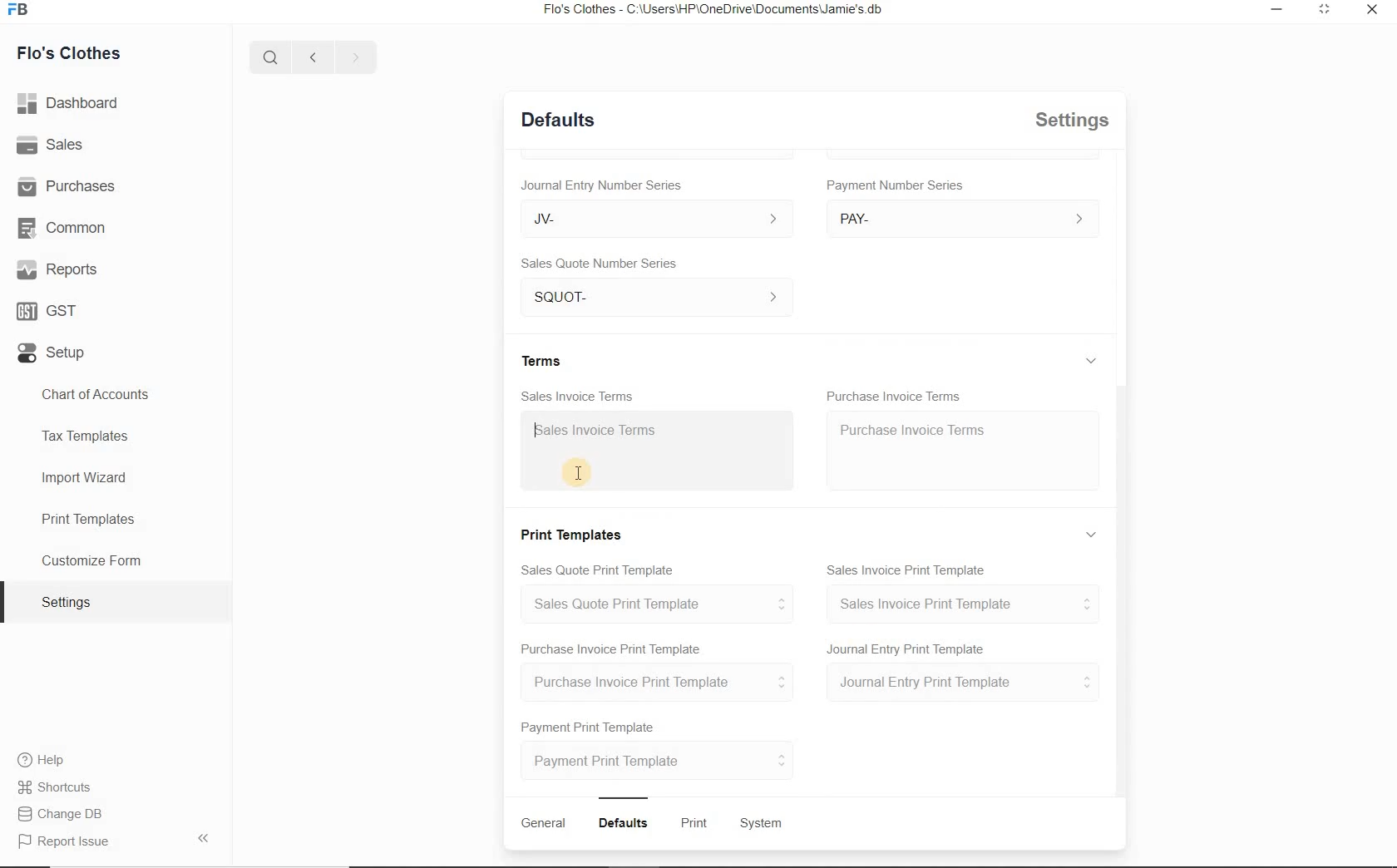  I want to click on Sales Invoice Print Template, so click(906, 570).